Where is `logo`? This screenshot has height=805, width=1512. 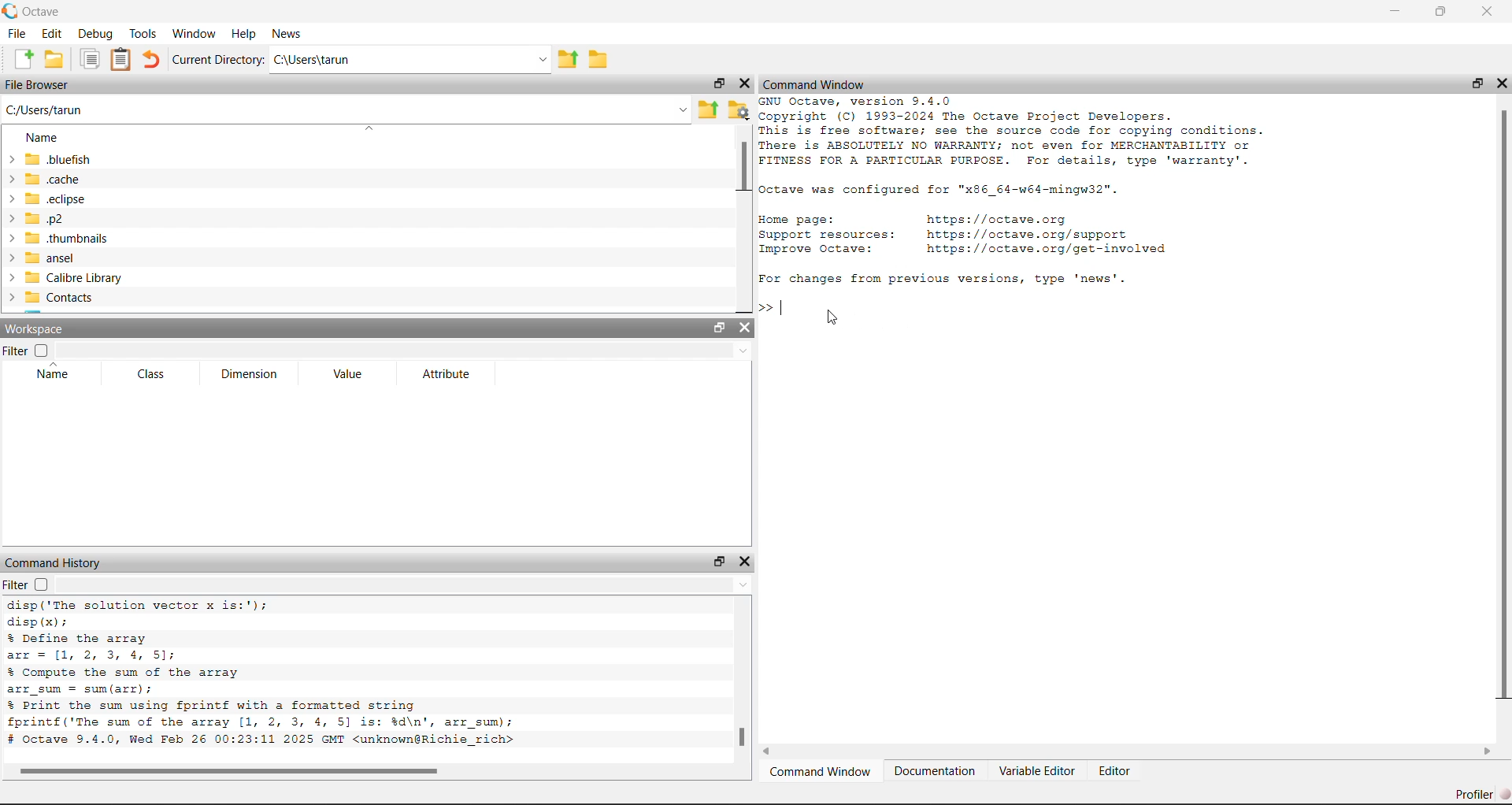 logo is located at coordinates (11, 11).